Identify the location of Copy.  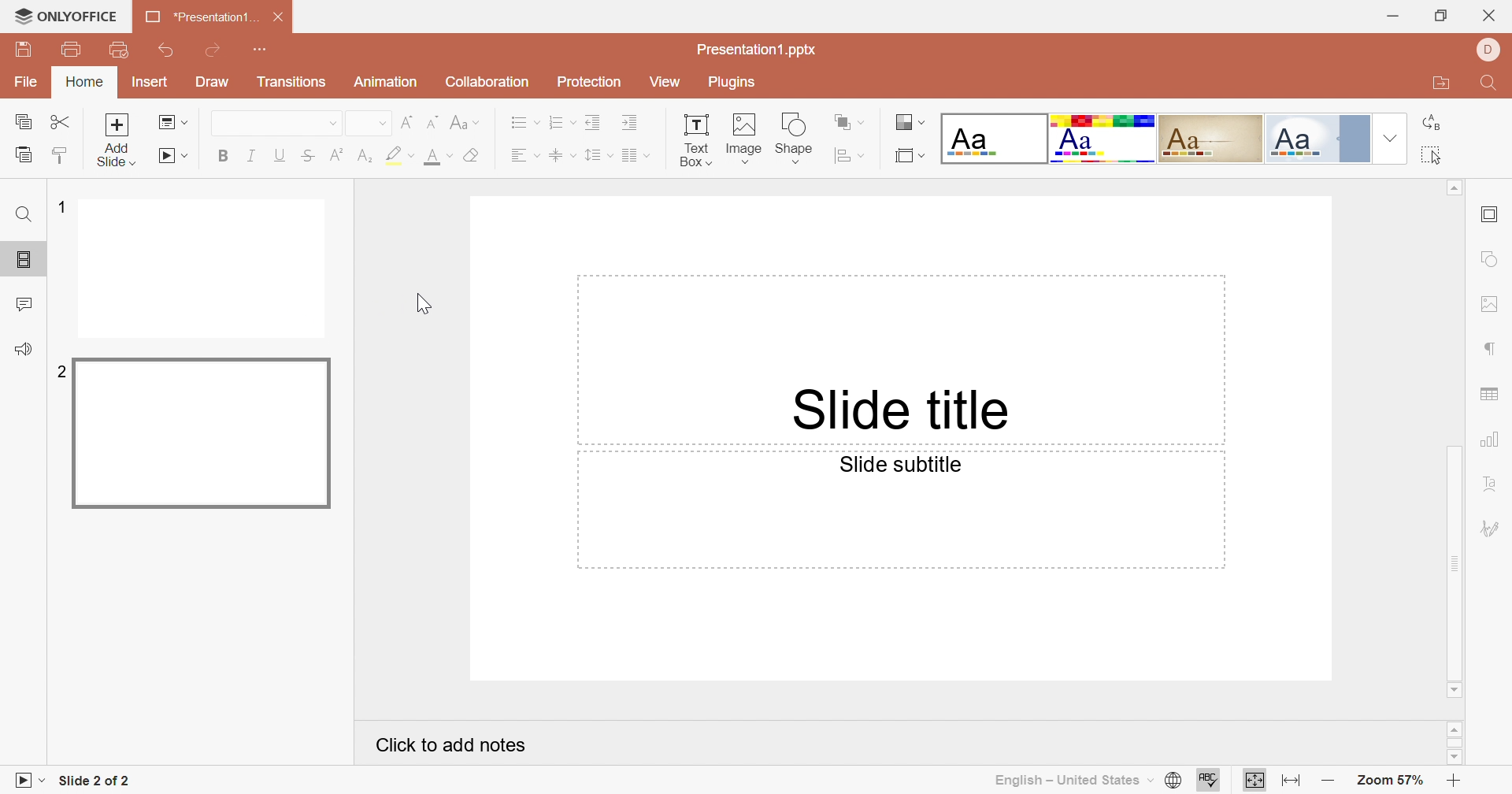
(24, 120).